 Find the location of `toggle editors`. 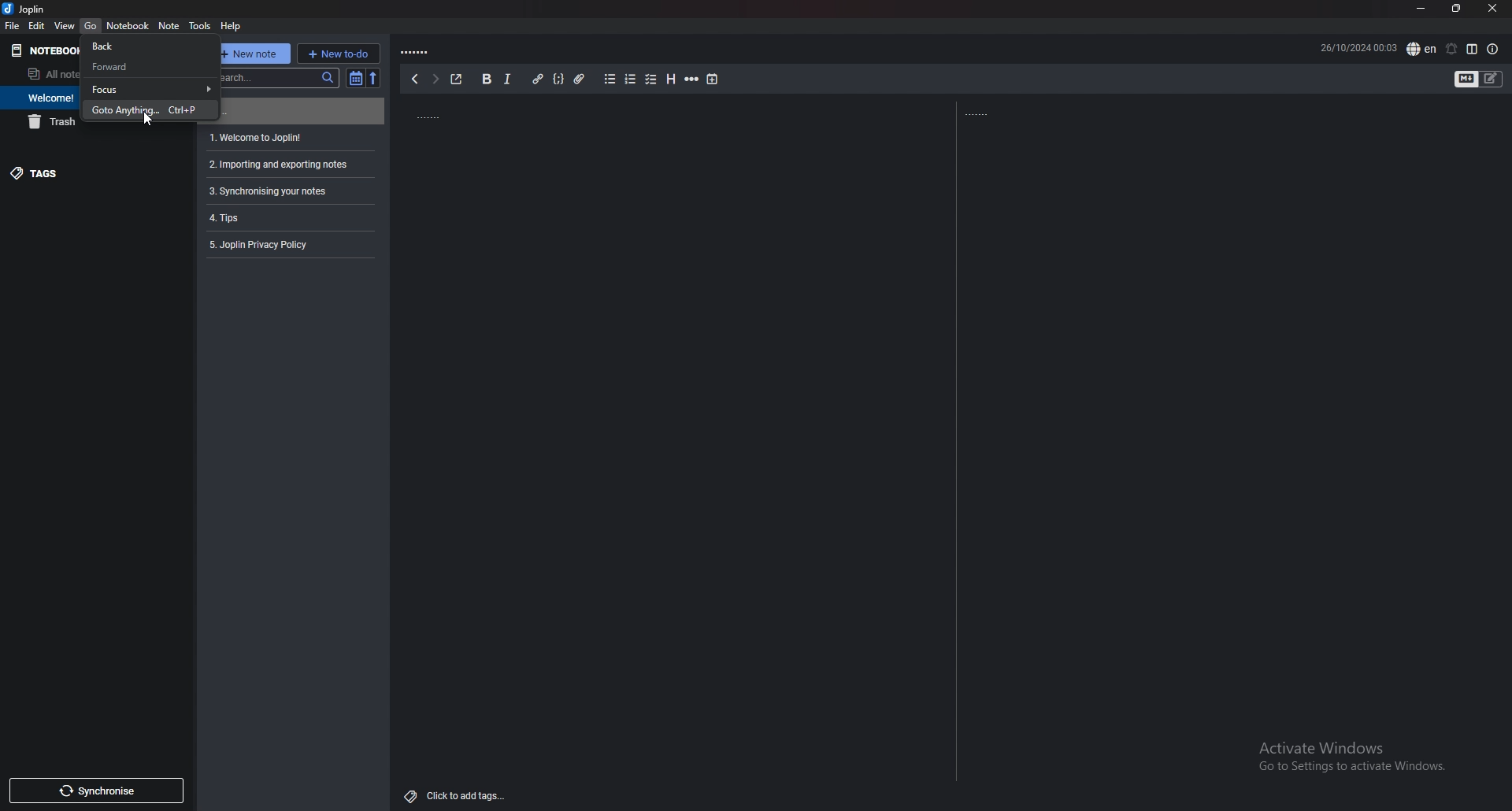

toggle editors is located at coordinates (1492, 80).